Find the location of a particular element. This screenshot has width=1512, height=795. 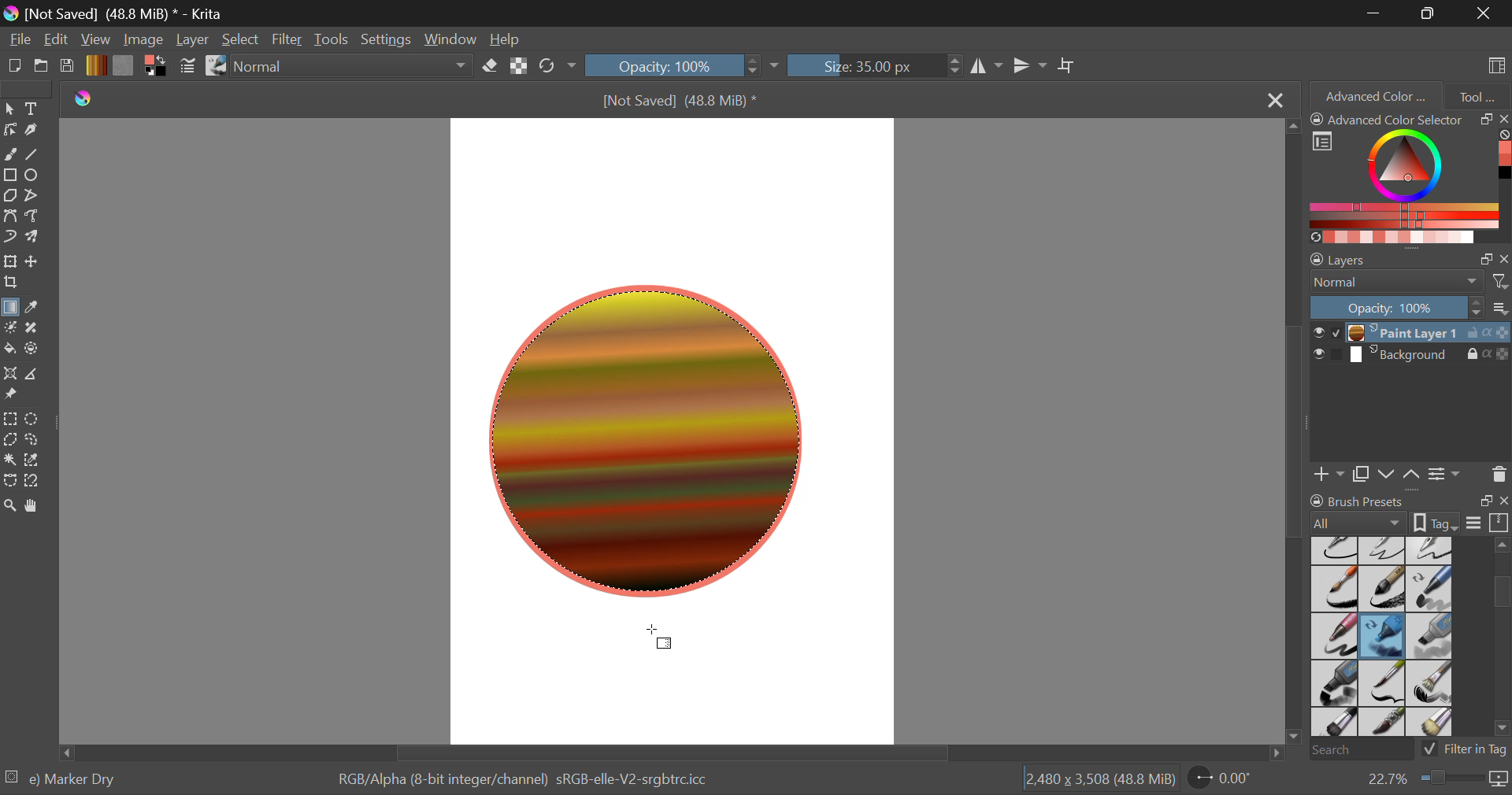

Scroll Bar is located at coordinates (668, 752).